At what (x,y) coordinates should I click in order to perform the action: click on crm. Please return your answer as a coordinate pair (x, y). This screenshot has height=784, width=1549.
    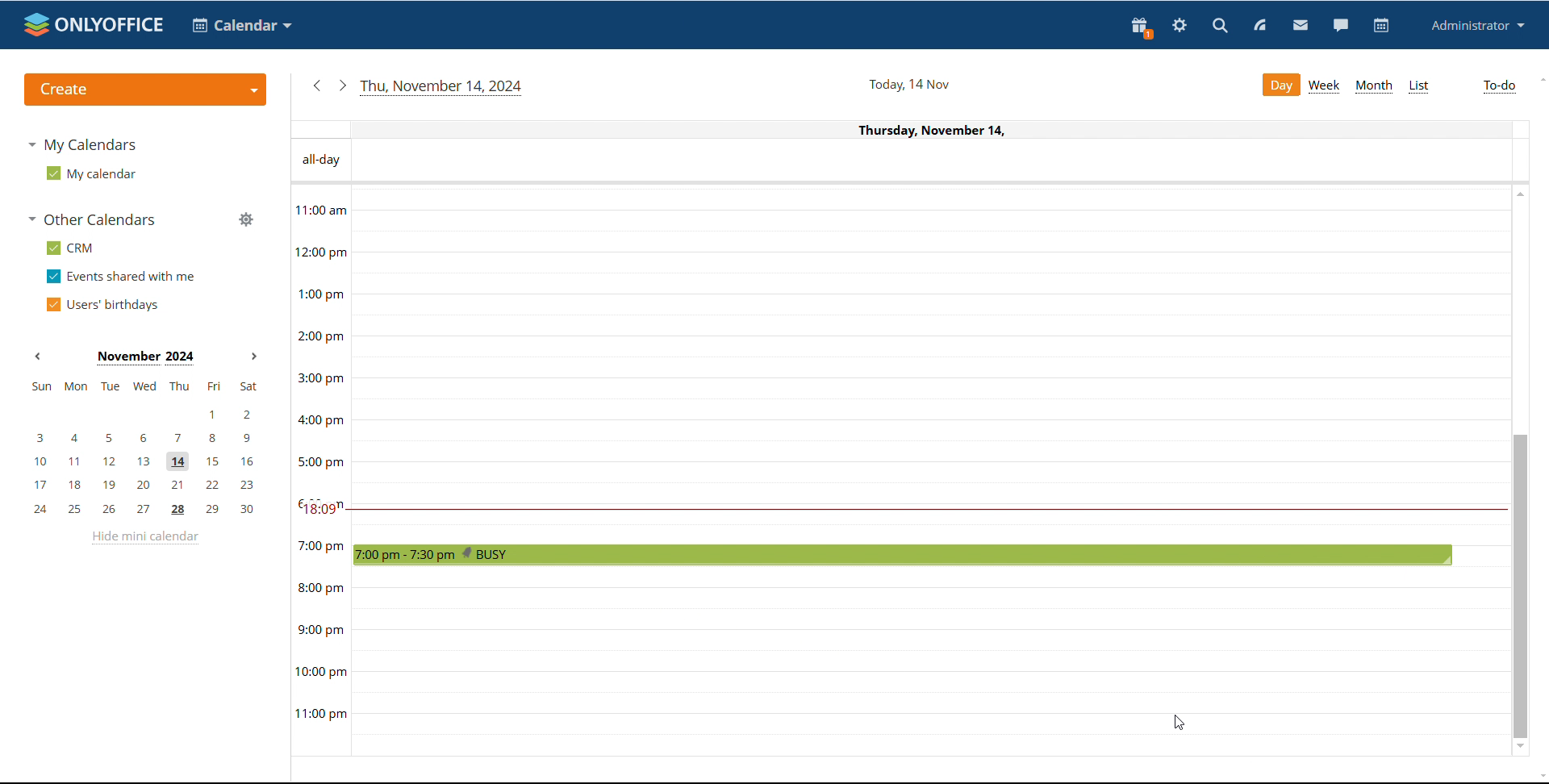
    Looking at the image, I should click on (69, 248).